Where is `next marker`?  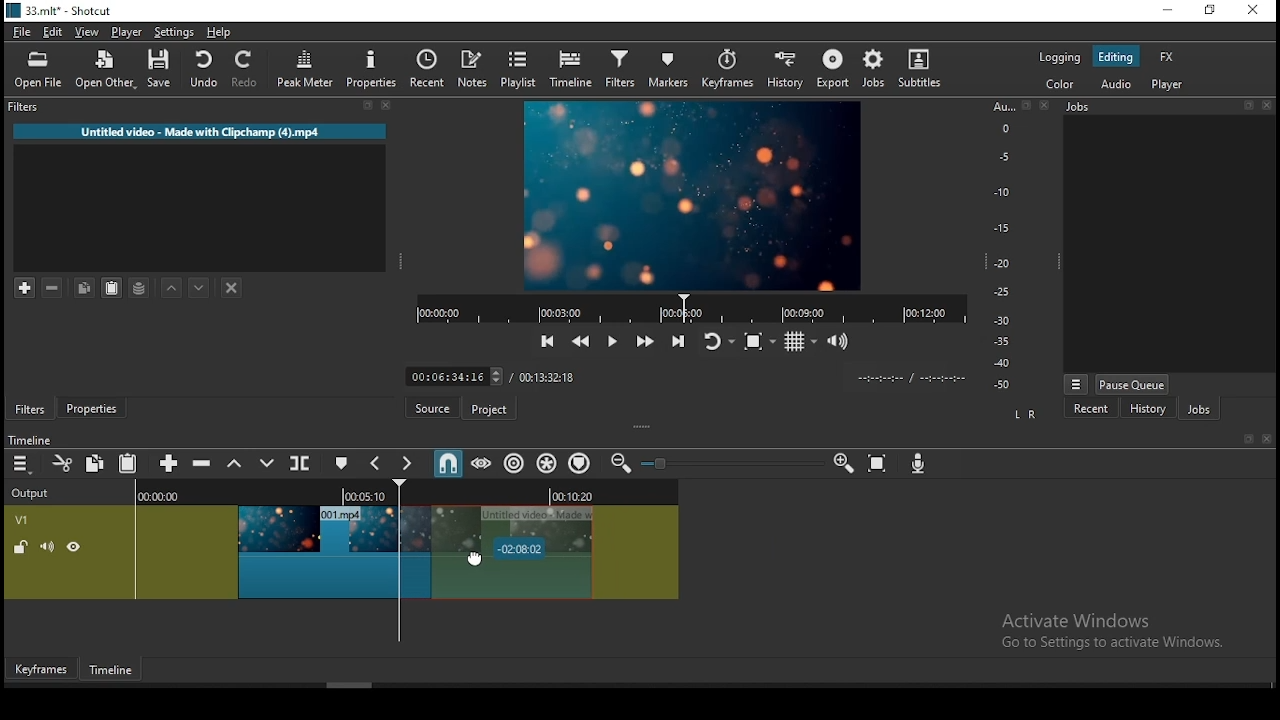 next marker is located at coordinates (408, 464).